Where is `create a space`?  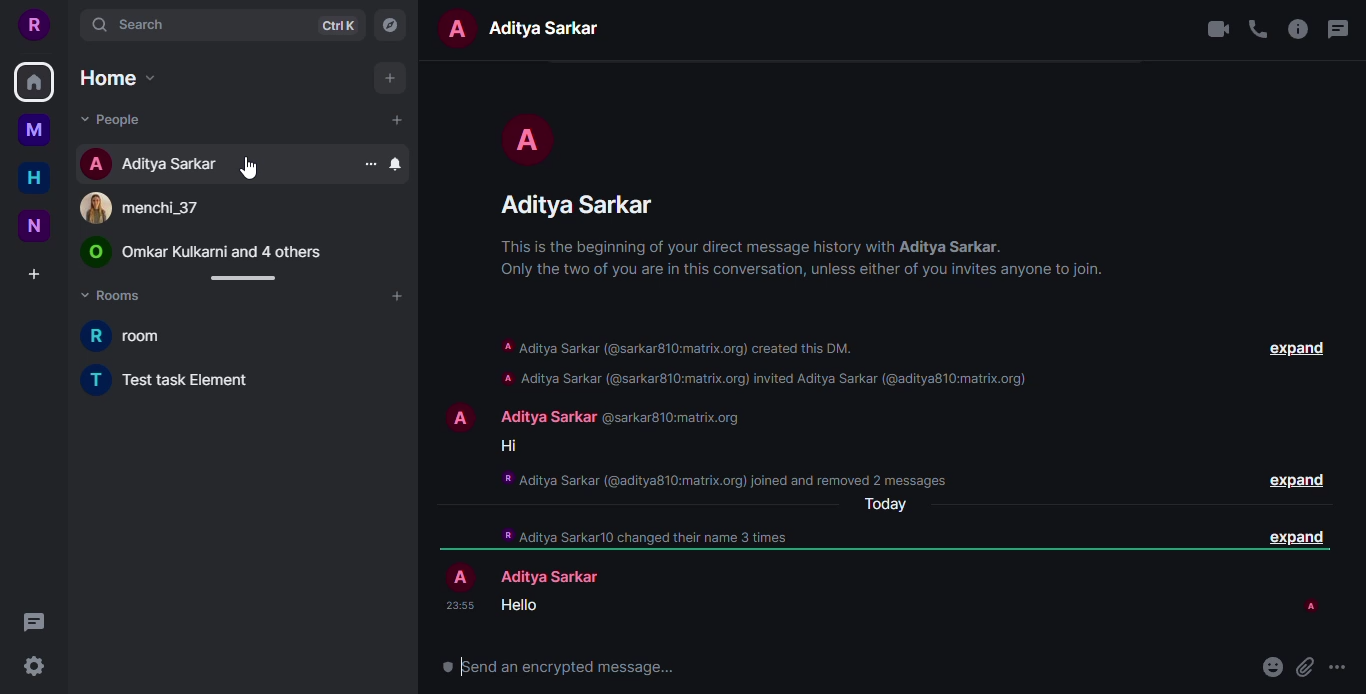
create a space is located at coordinates (34, 274).